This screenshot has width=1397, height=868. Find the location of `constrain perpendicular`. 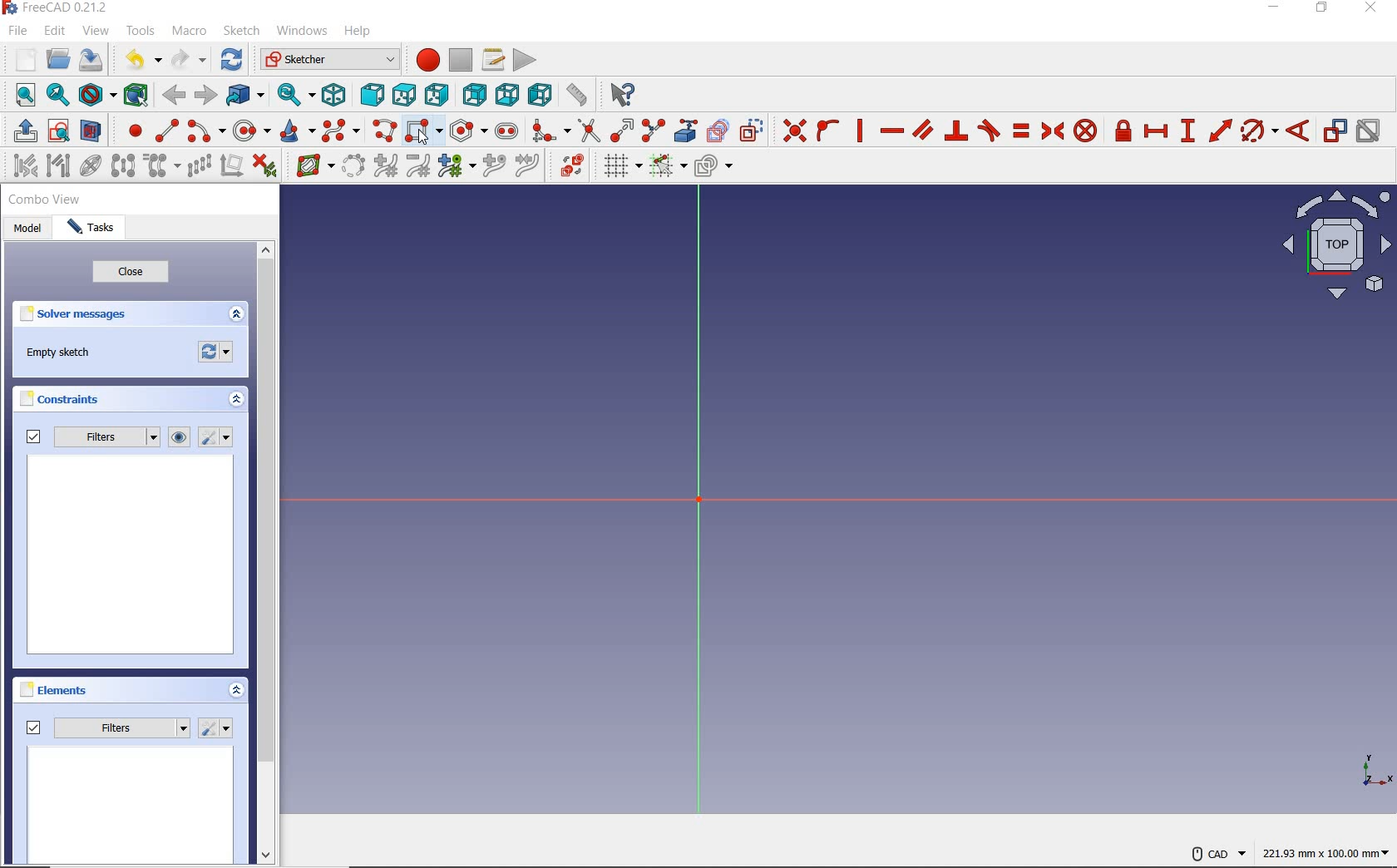

constrain perpendicular is located at coordinates (956, 131).